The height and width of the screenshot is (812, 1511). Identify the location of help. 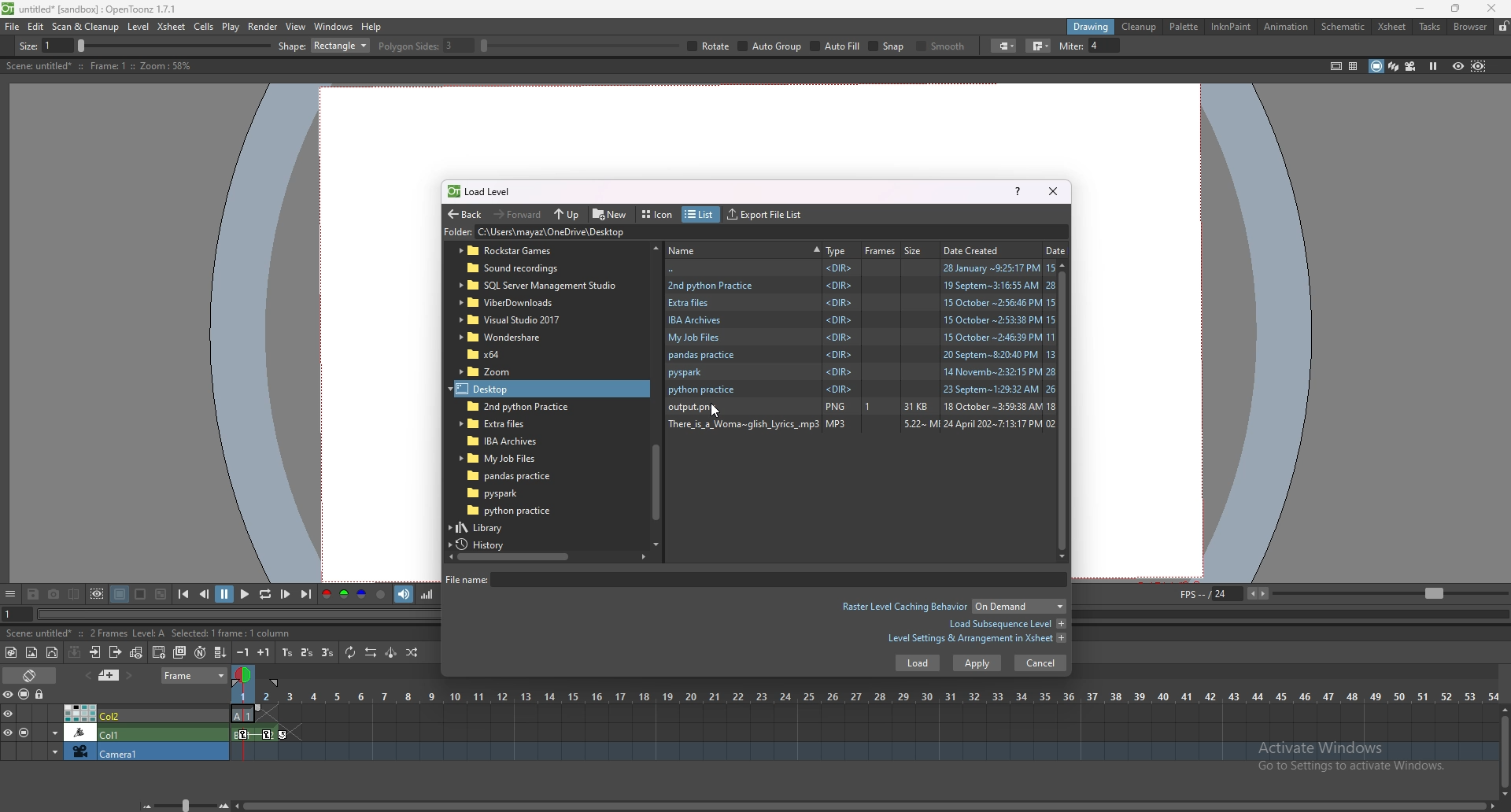
(371, 27).